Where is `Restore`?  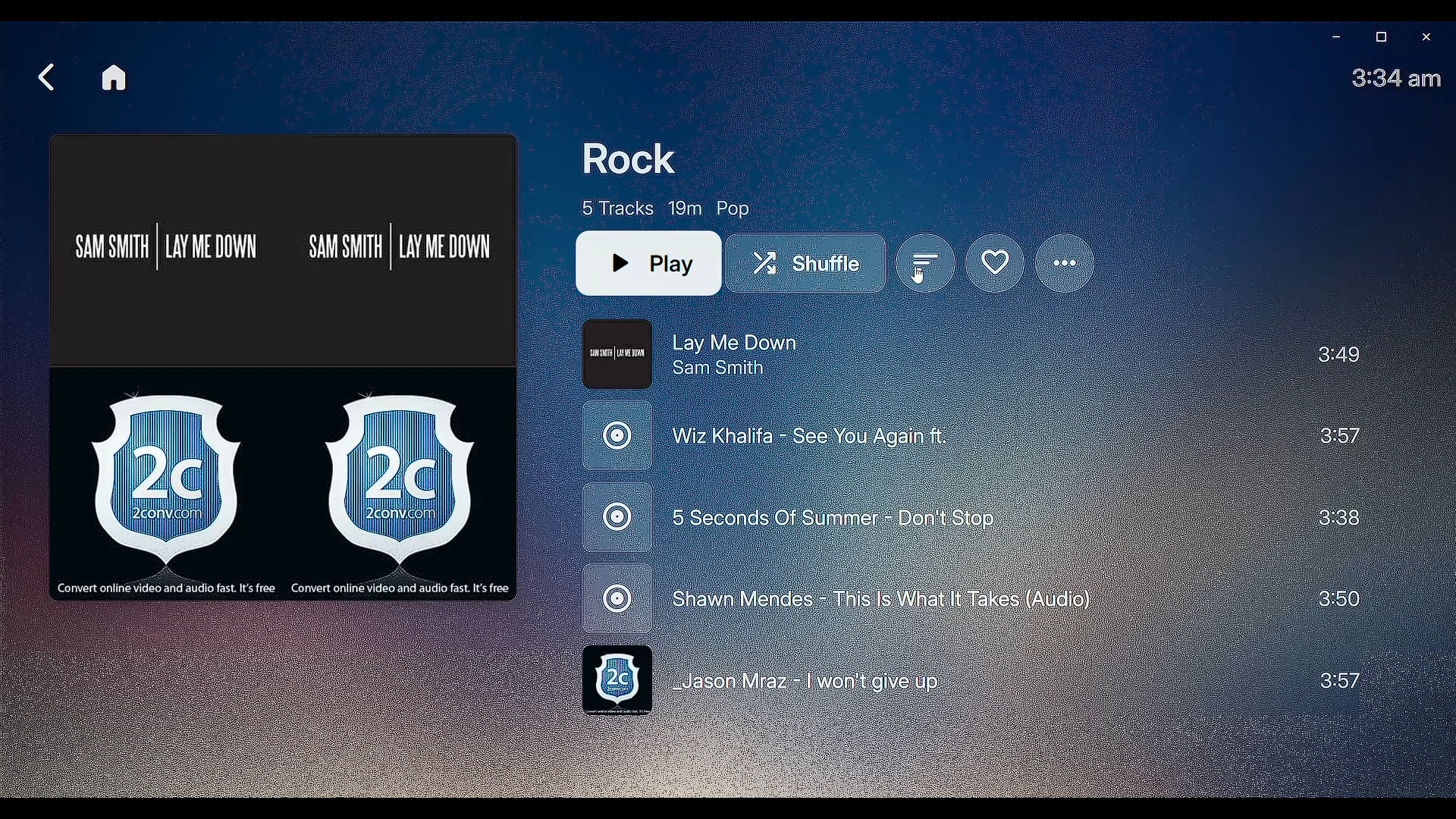
Restore is located at coordinates (1379, 38).